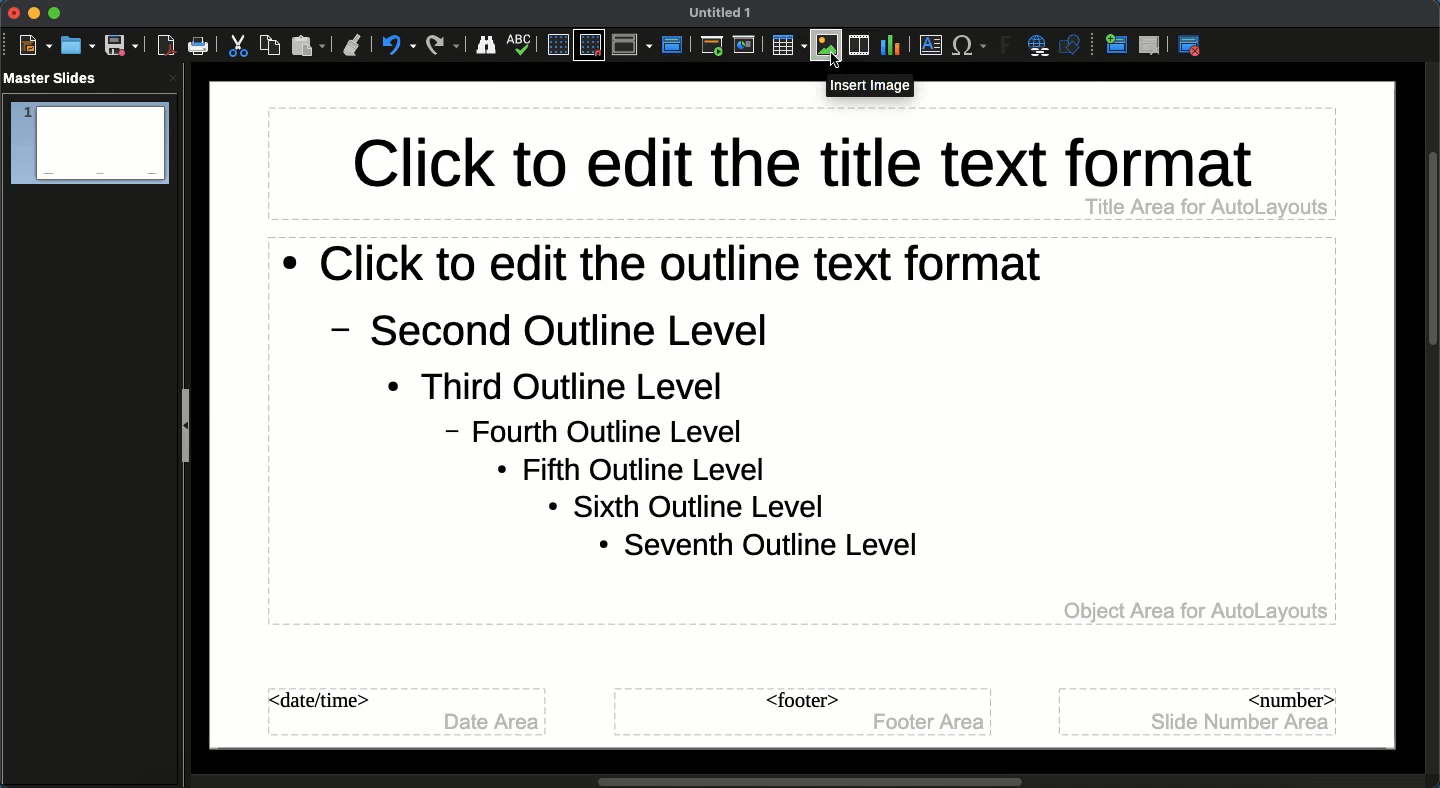  What do you see at coordinates (826, 42) in the screenshot?
I see `Images` at bounding box center [826, 42].